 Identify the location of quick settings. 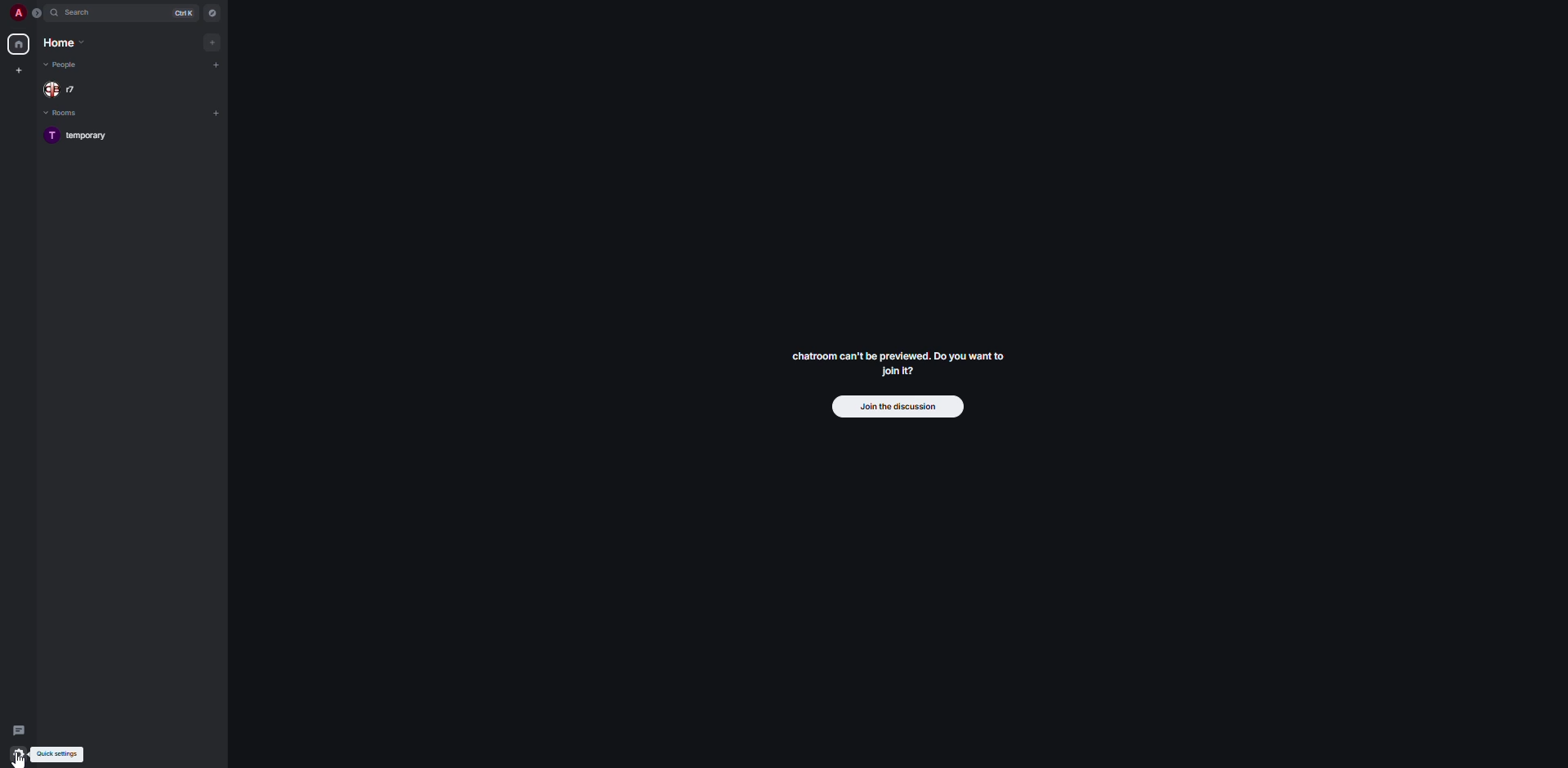
(20, 757).